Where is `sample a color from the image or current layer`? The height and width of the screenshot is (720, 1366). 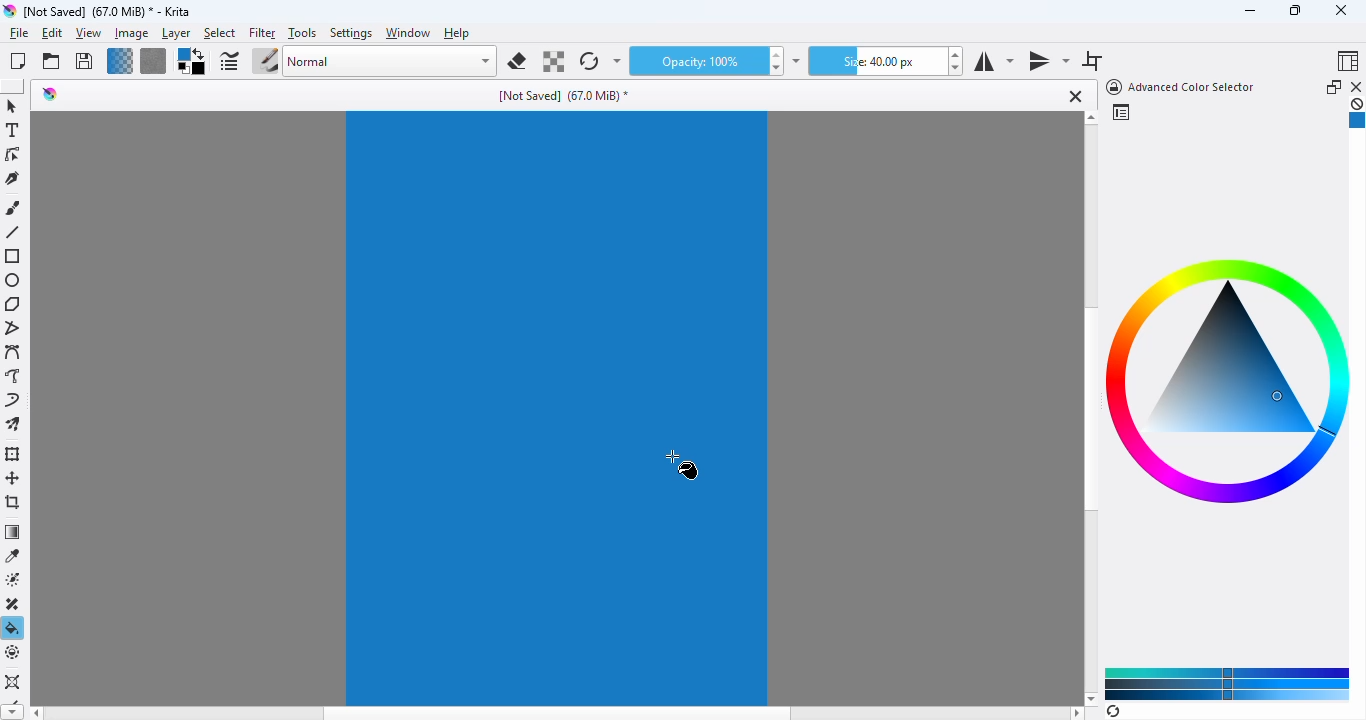
sample a color from the image or current layer is located at coordinates (14, 556).